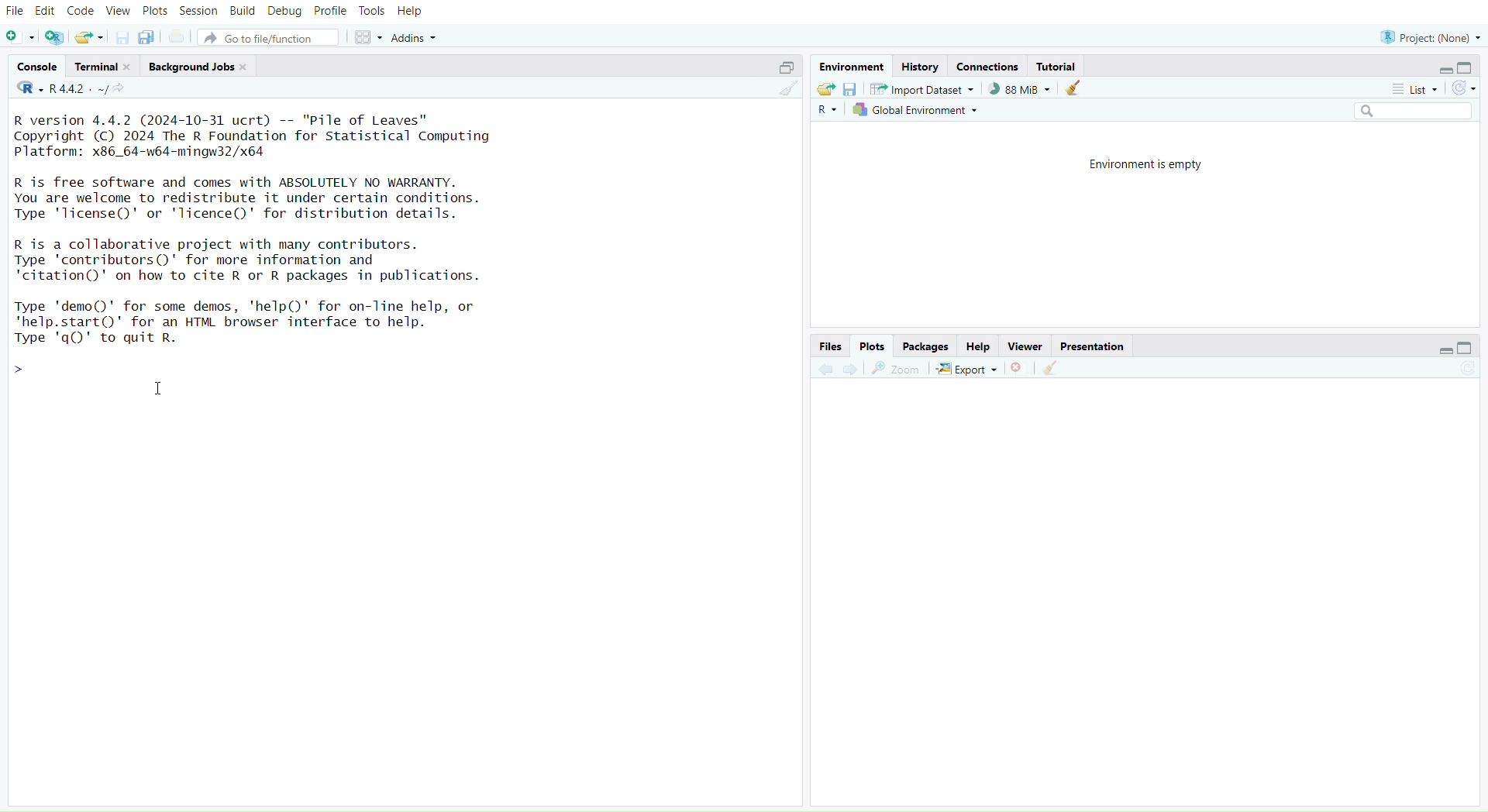  I want to click on project(None), so click(1428, 38).